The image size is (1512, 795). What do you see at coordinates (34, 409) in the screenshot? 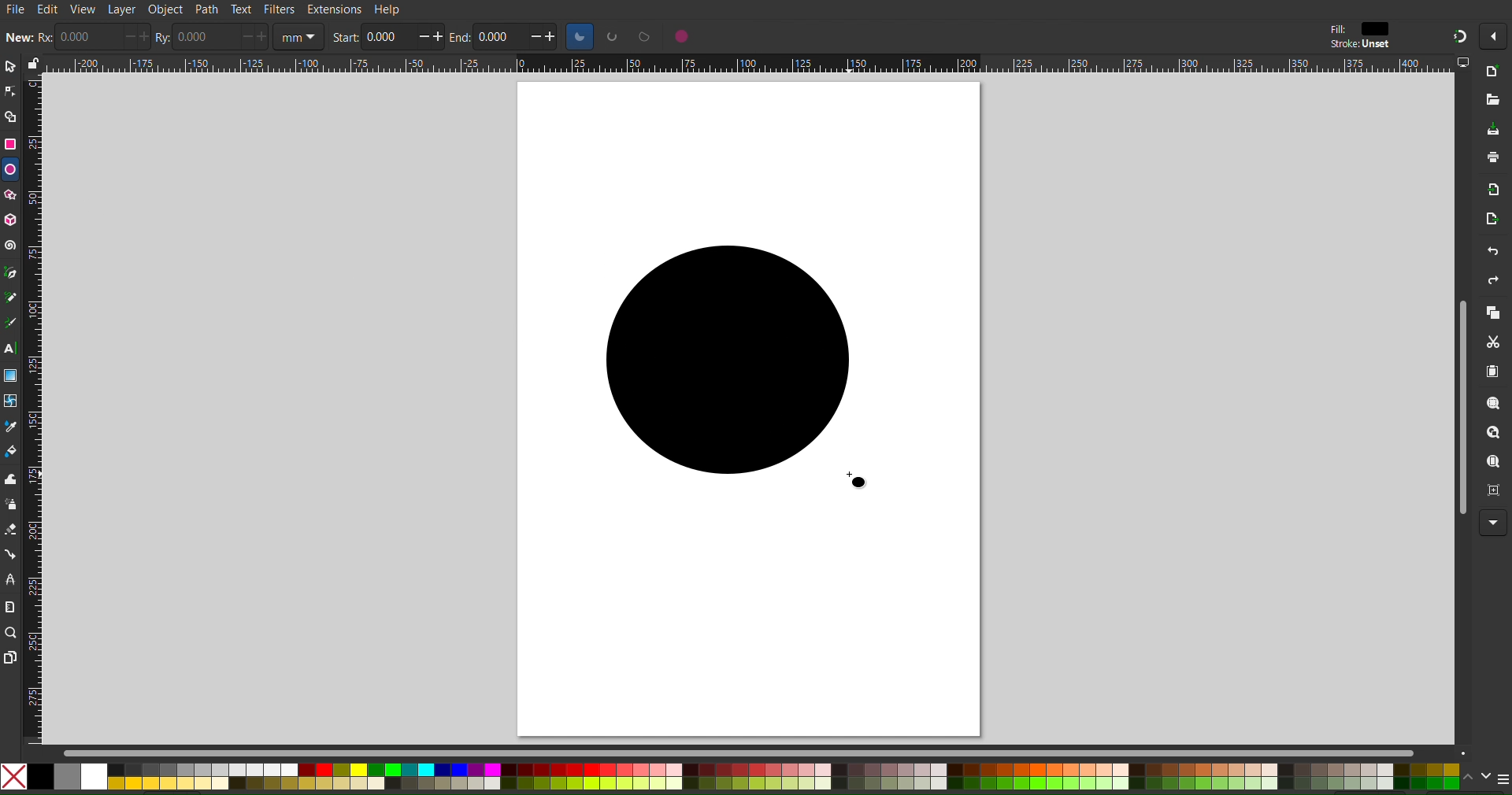
I see `Vertical Ruler` at bounding box center [34, 409].